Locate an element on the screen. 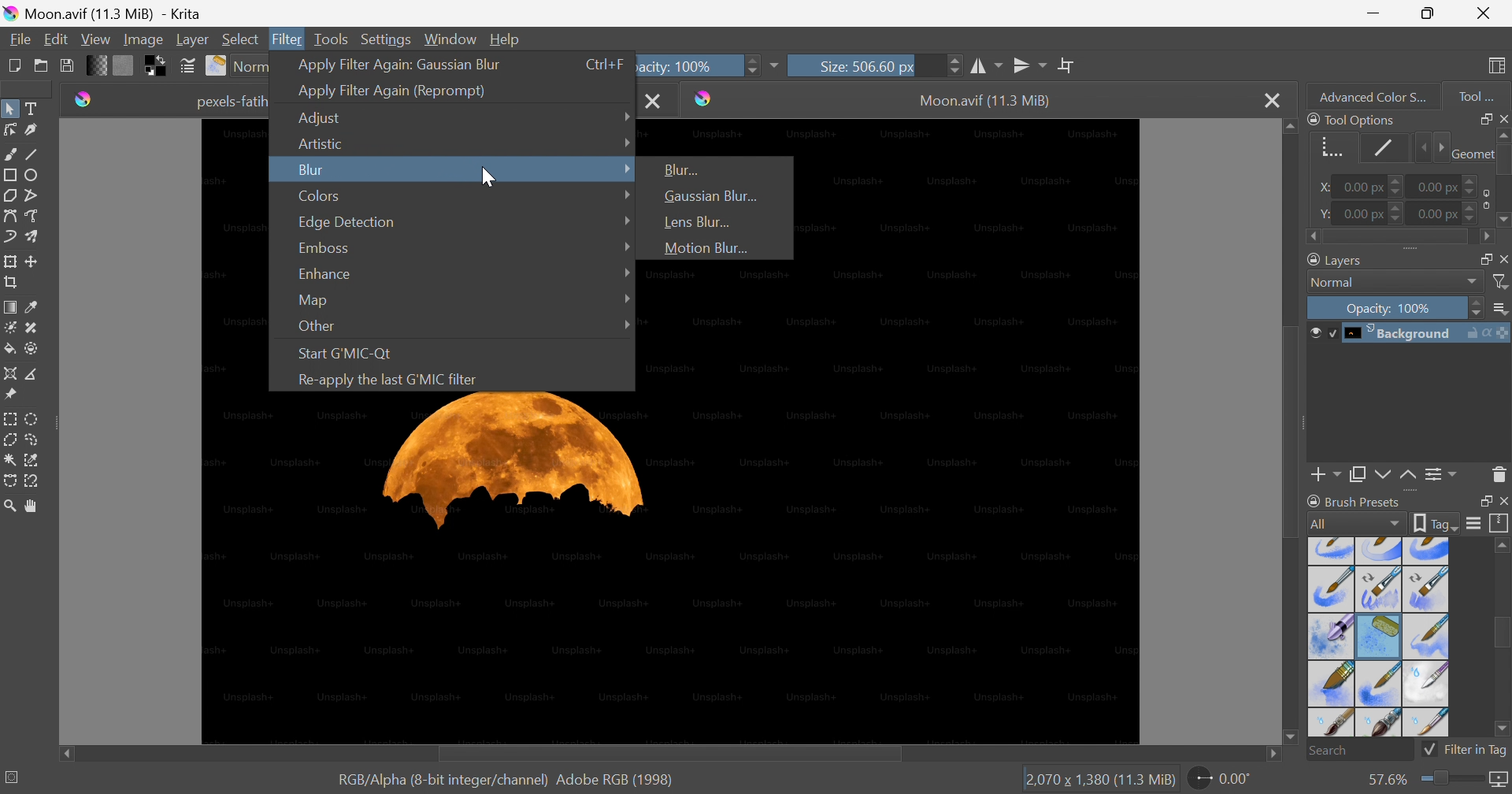 This screenshot has width=1512, height=794. Drop Down is located at coordinates (628, 143).